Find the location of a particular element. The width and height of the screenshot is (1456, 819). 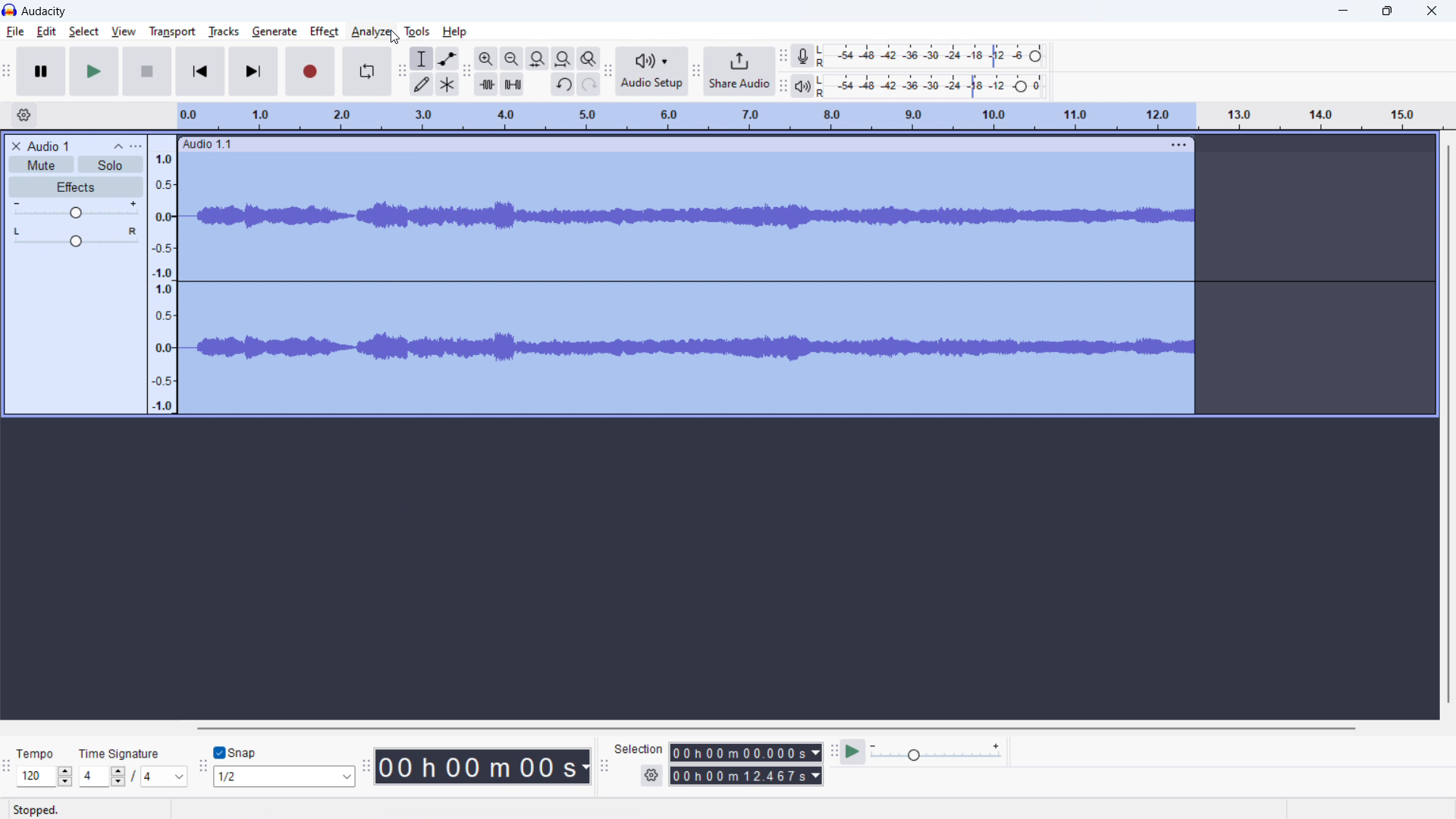

fit project to width is located at coordinates (563, 58).